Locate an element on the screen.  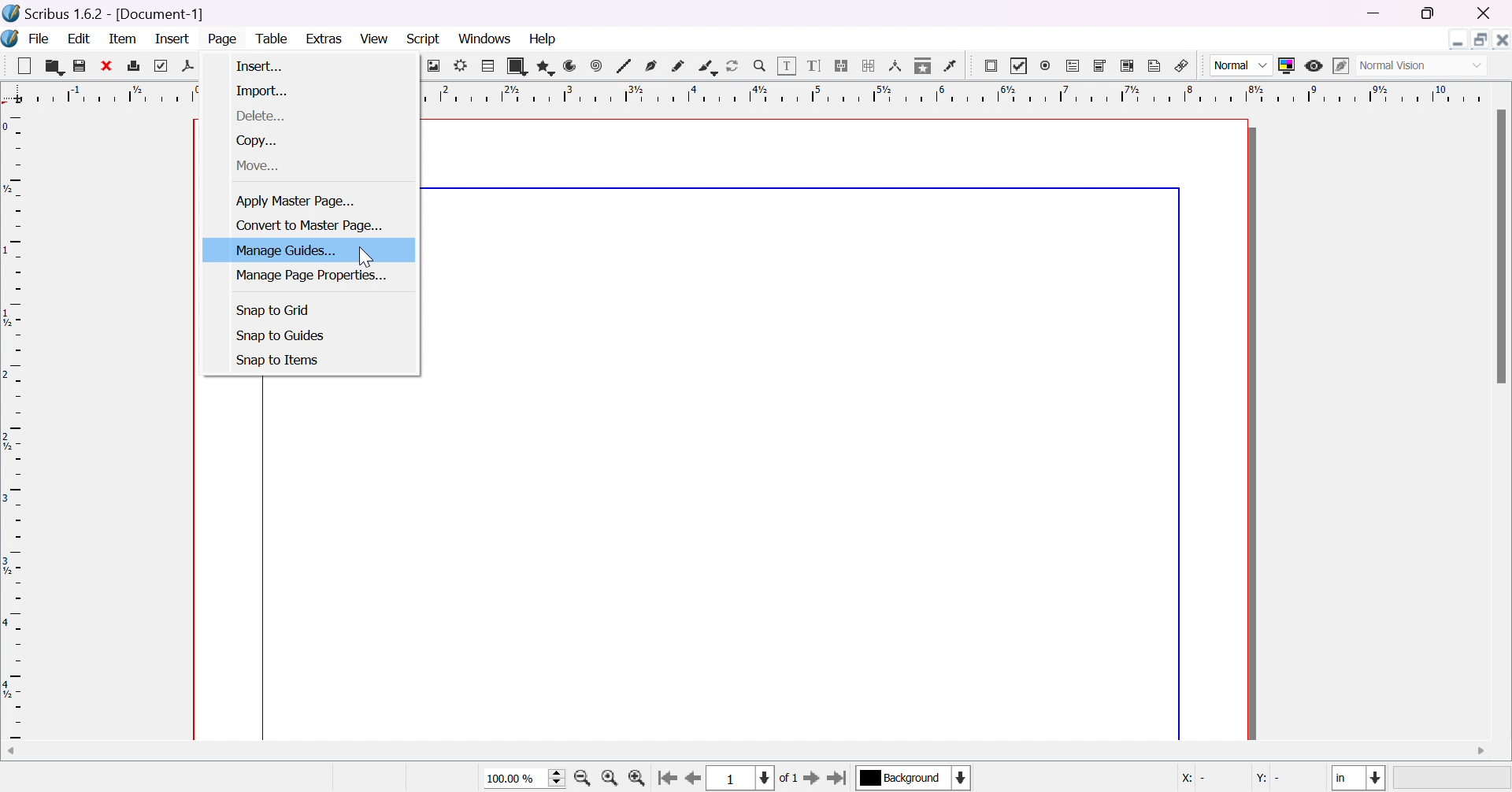
toggle color management system is located at coordinates (1290, 65).